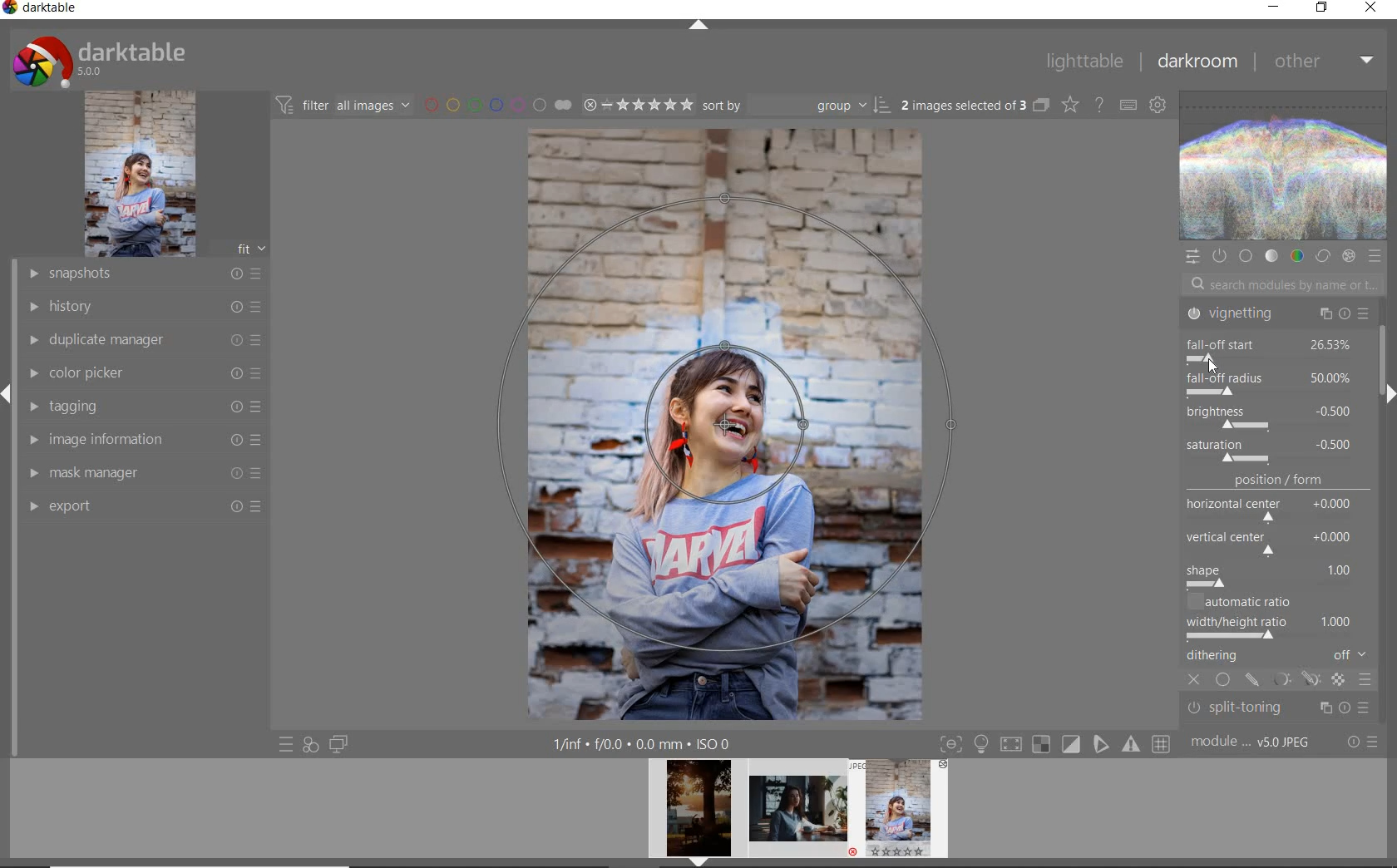 The height and width of the screenshot is (868, 1397). I want to click on fall-off start, so click(1275, 348).